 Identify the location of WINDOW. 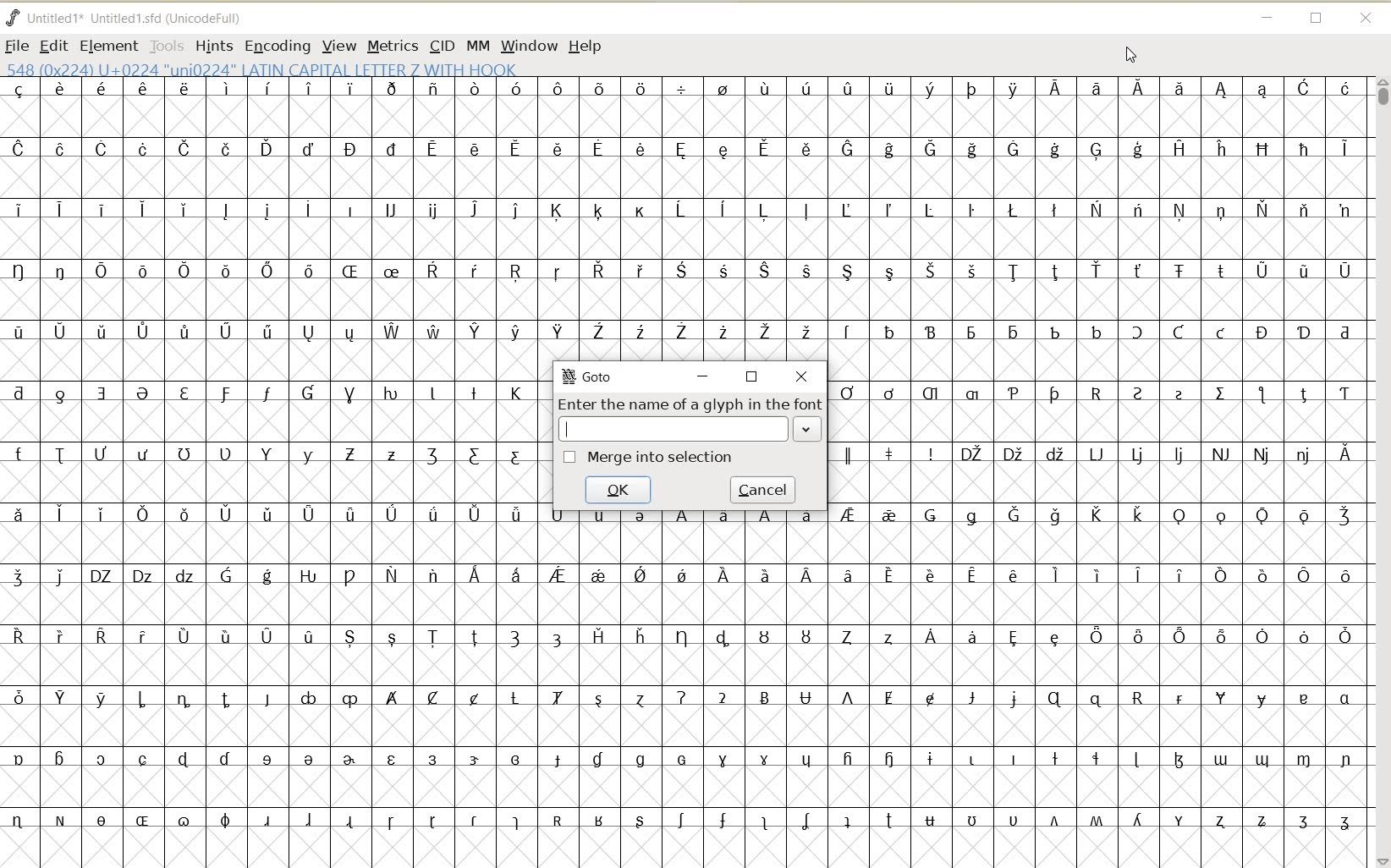
(530, 47).